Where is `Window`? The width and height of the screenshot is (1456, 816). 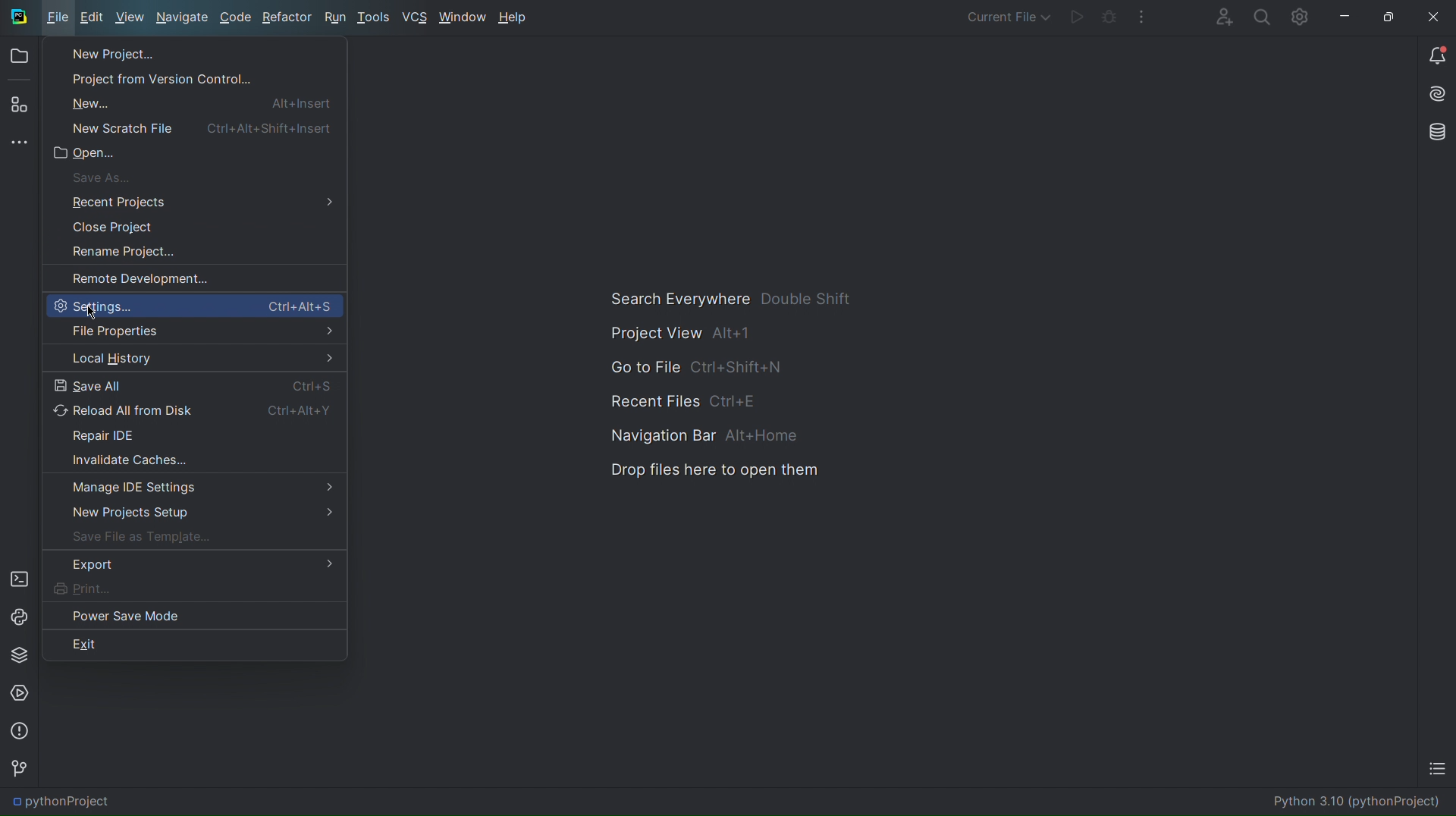
Window is located at coordinates (462, 17).